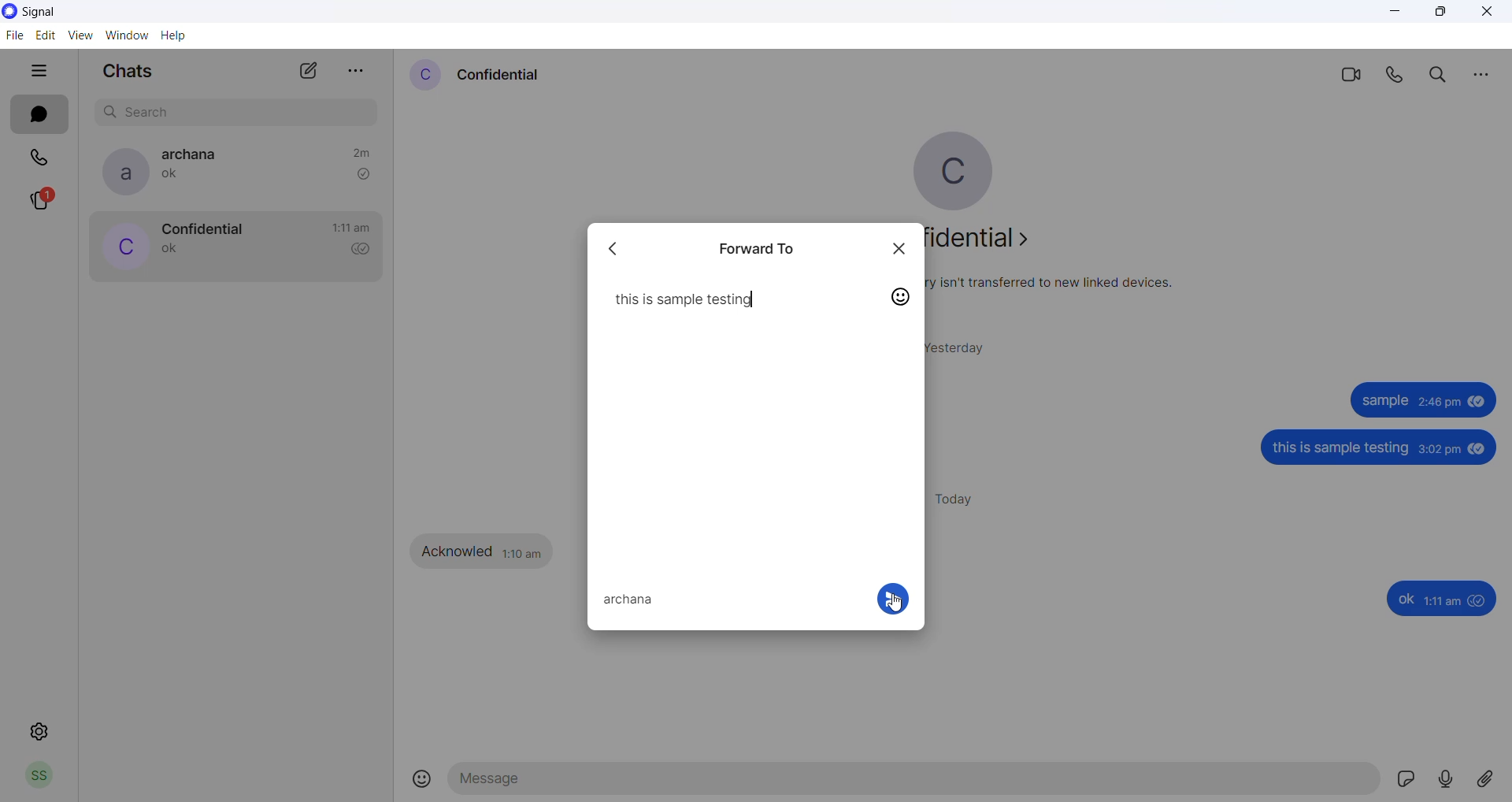 The image size is (1512, 802). I want to click on maximize, so click(1440, 14).